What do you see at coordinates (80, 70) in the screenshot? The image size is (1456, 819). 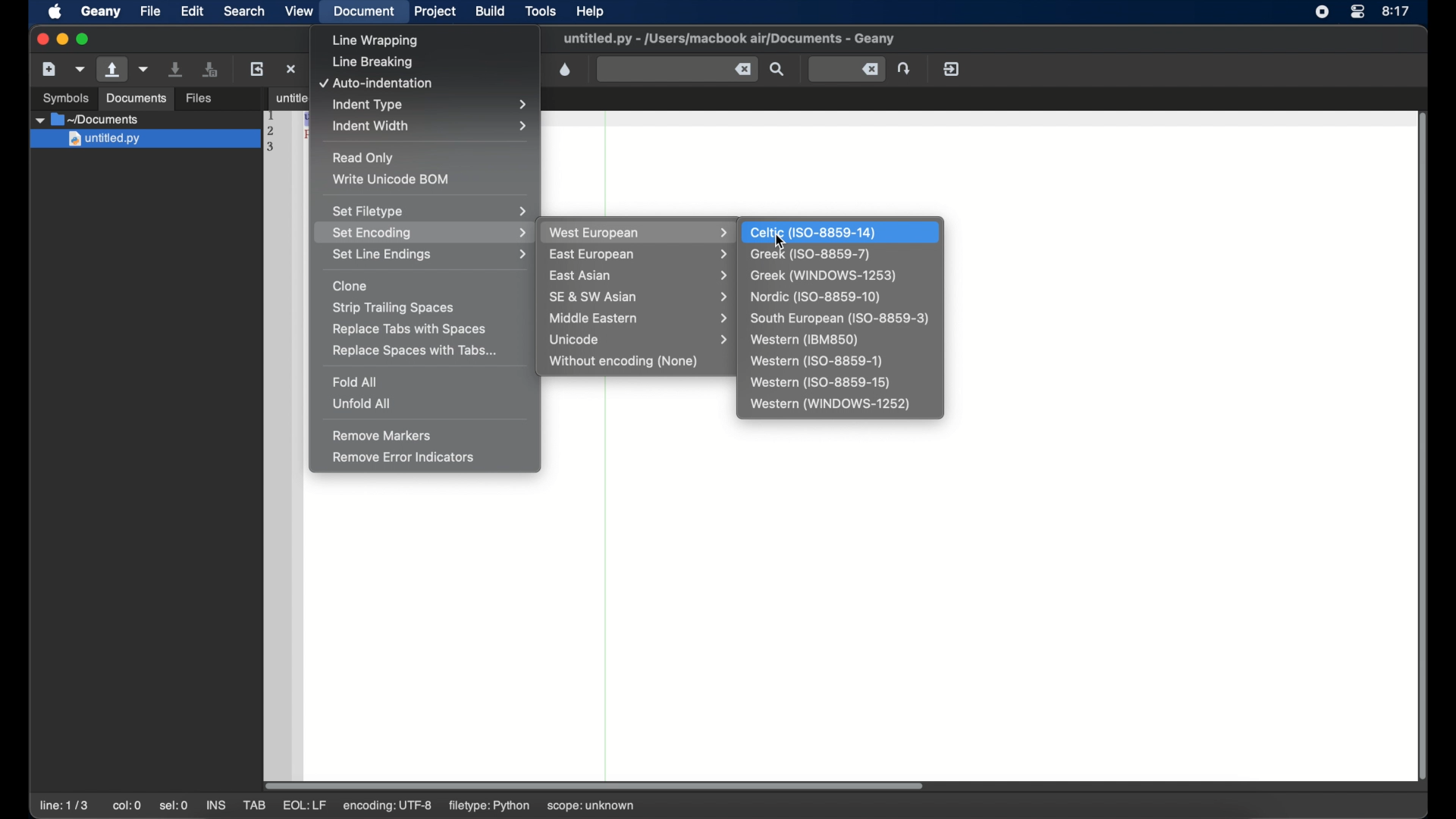 I see `create a new file from template` at bounding box center [80, 70].